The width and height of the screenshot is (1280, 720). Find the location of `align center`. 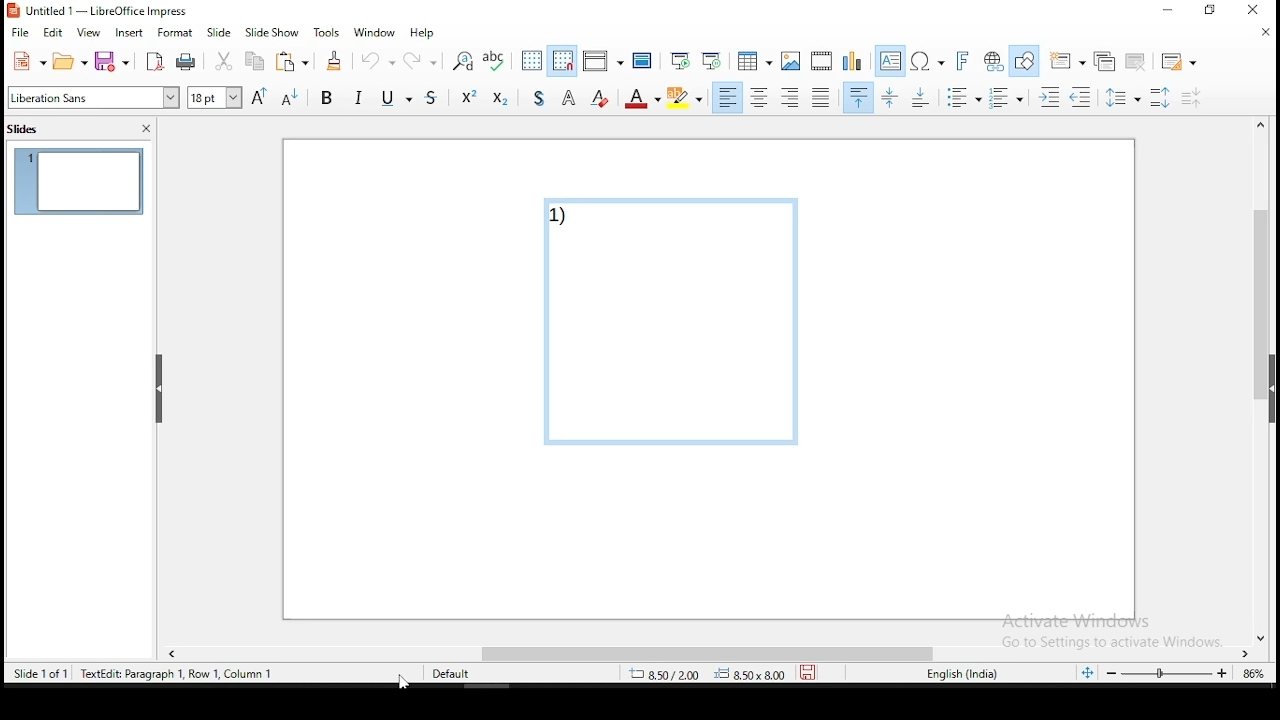

align center is located at coordinates (760, 98).